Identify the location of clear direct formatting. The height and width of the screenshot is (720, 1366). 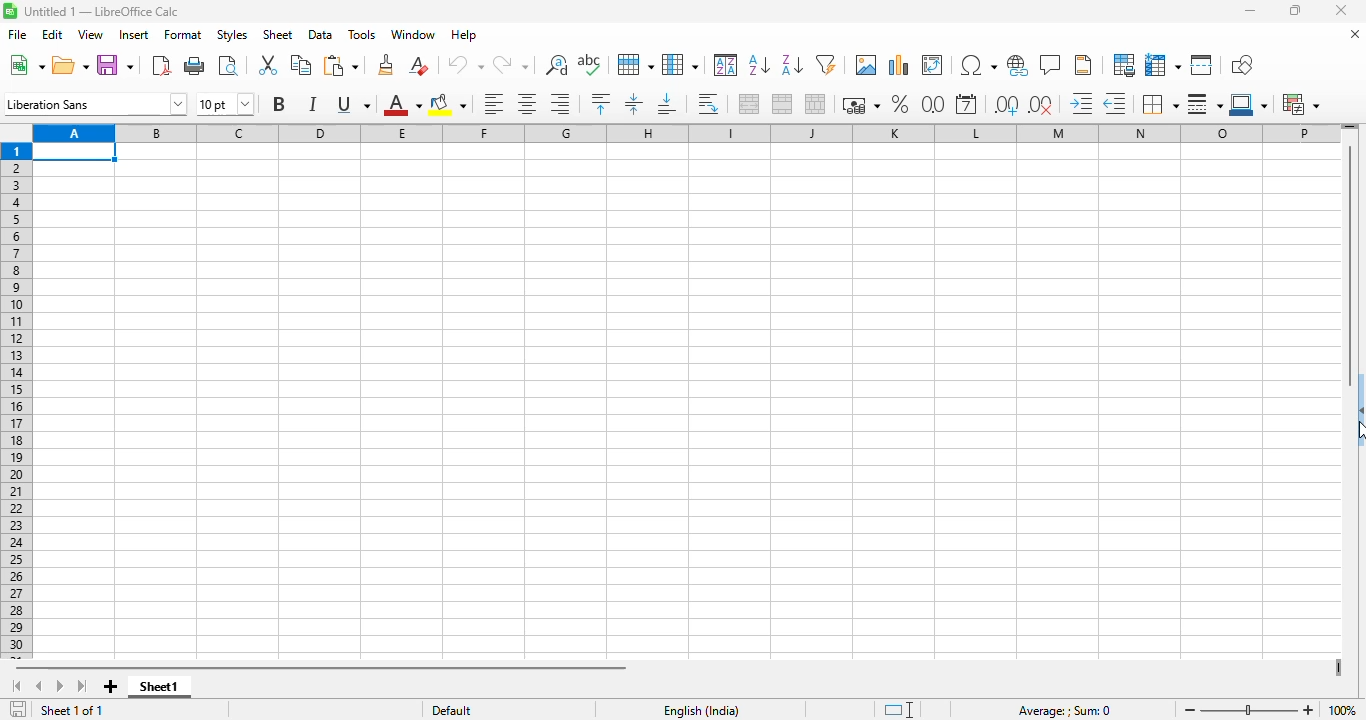
(418, 64).